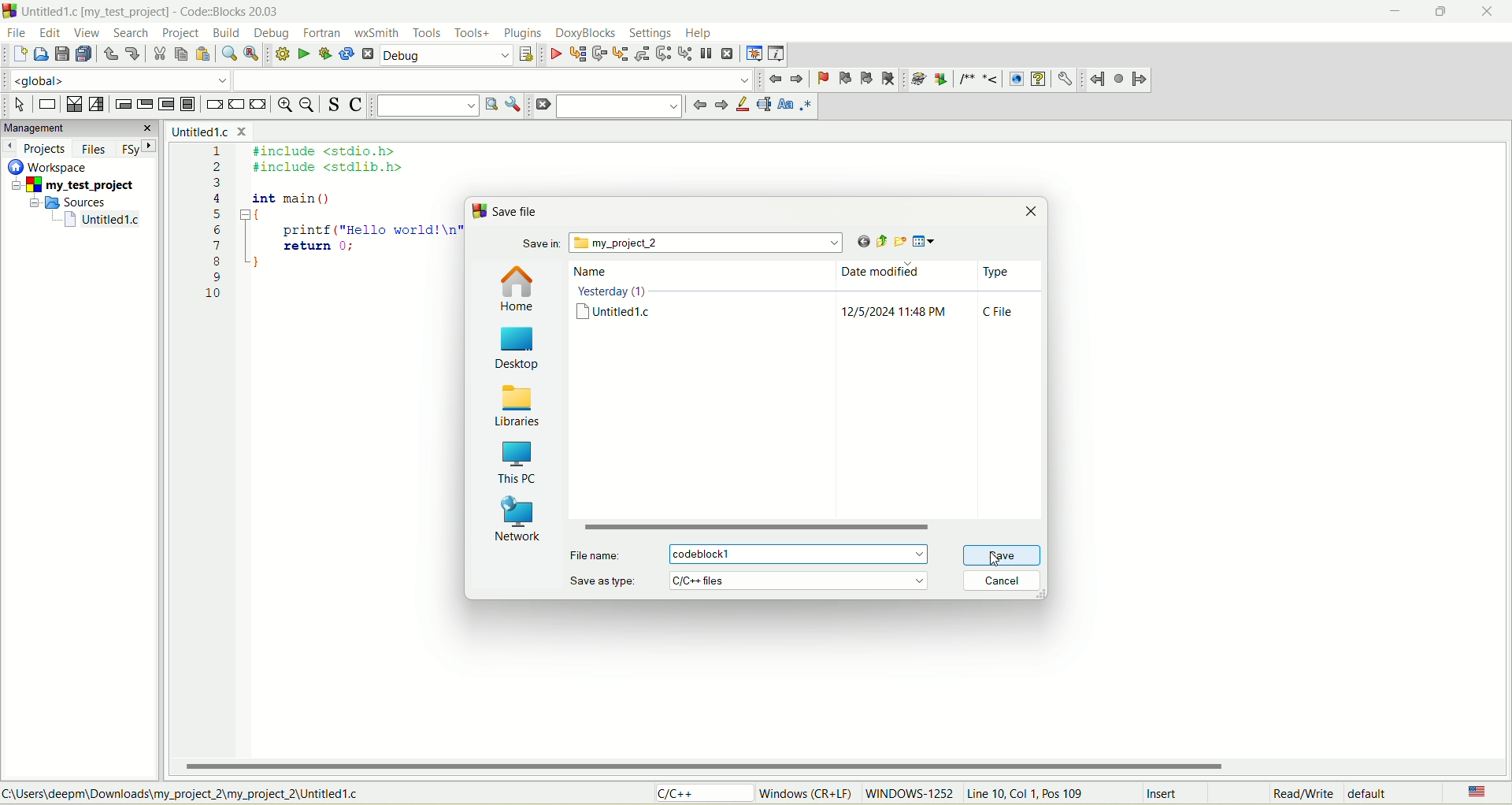 This screenshot has height=805, width=1512. What do you see at coordinates (15, 32) in the screenshot?
I see `file` at bounding box center [15, 32].